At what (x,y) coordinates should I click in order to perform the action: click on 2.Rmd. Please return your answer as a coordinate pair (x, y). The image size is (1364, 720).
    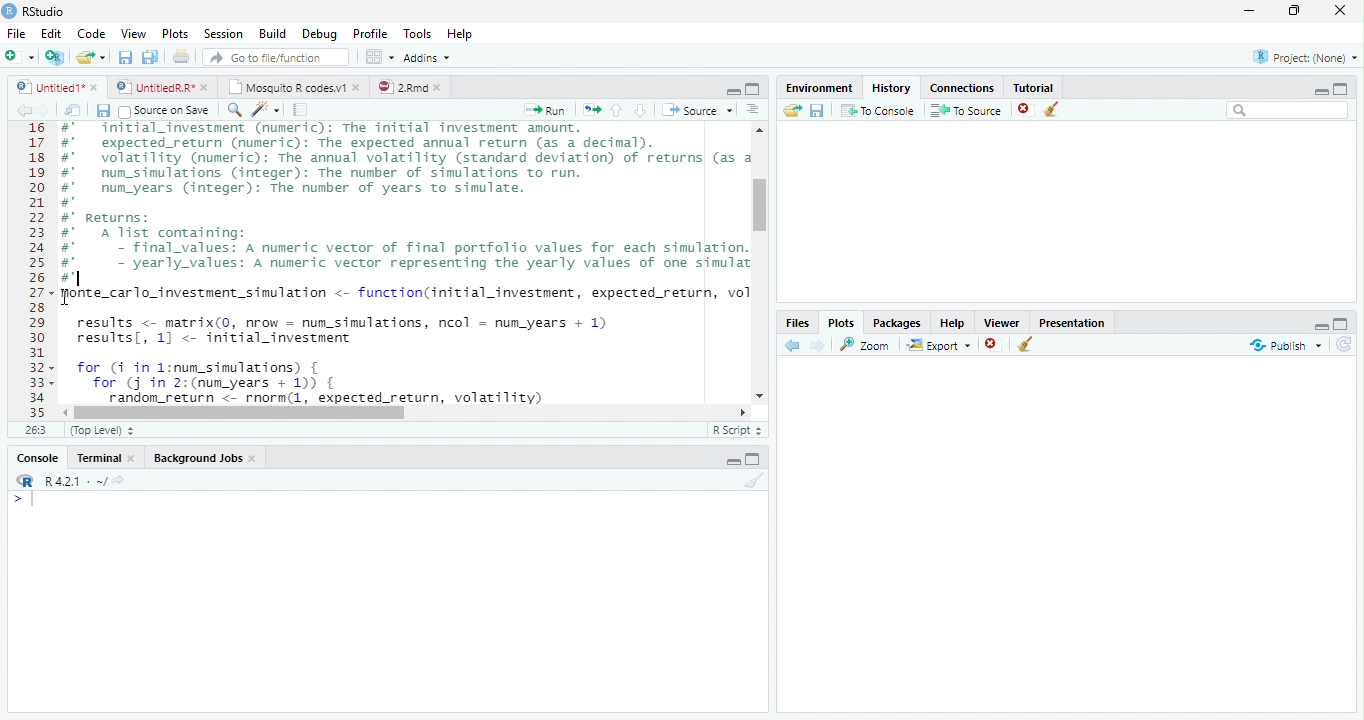
    Looking at the image, I should click on (410, 87).